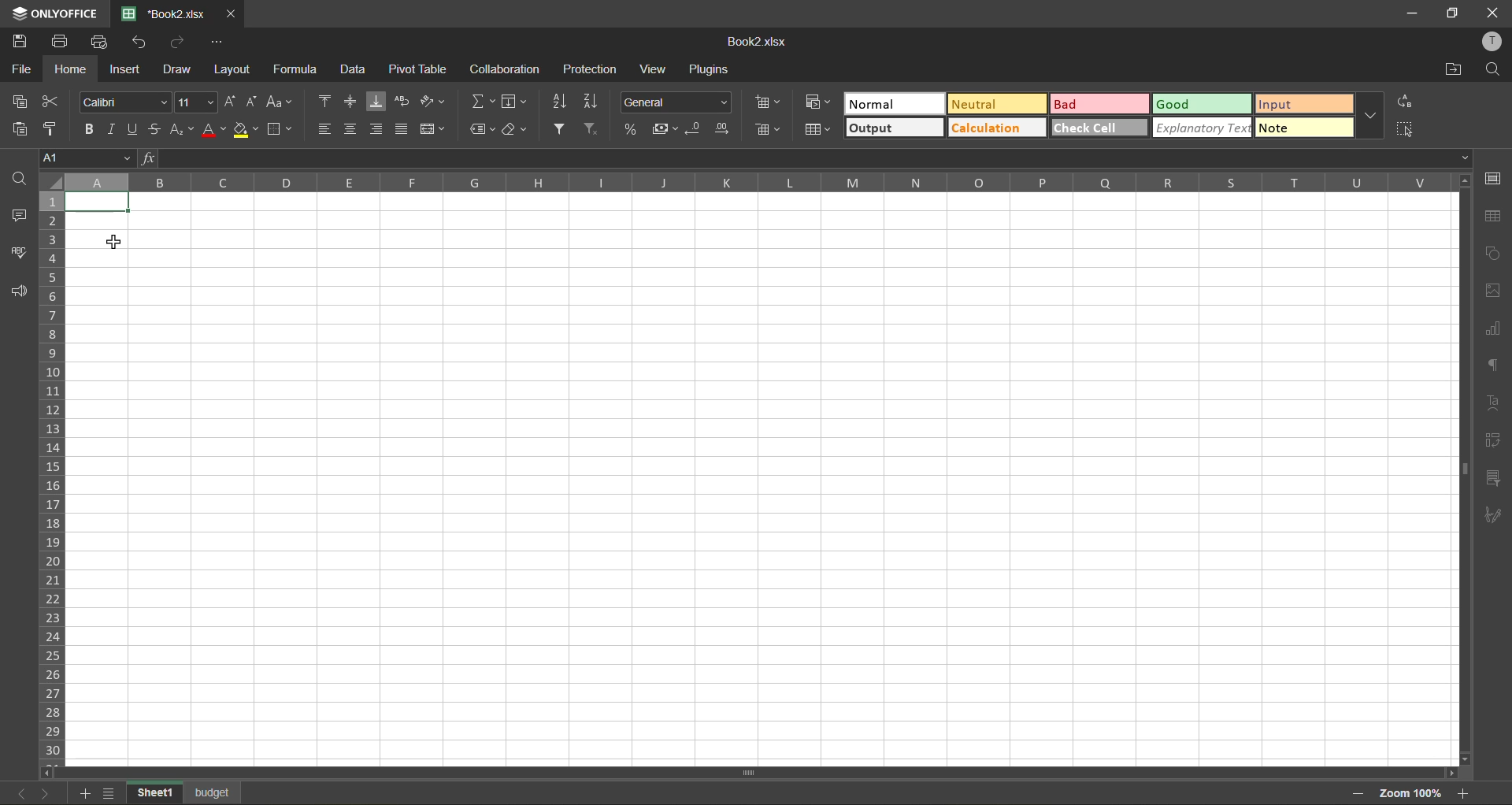 Image resolution: width=1512 pixels, height=805 pixels. Describe the element at coordinates (1411, 793) in the screenshot. I see `zoom factor` at that location.